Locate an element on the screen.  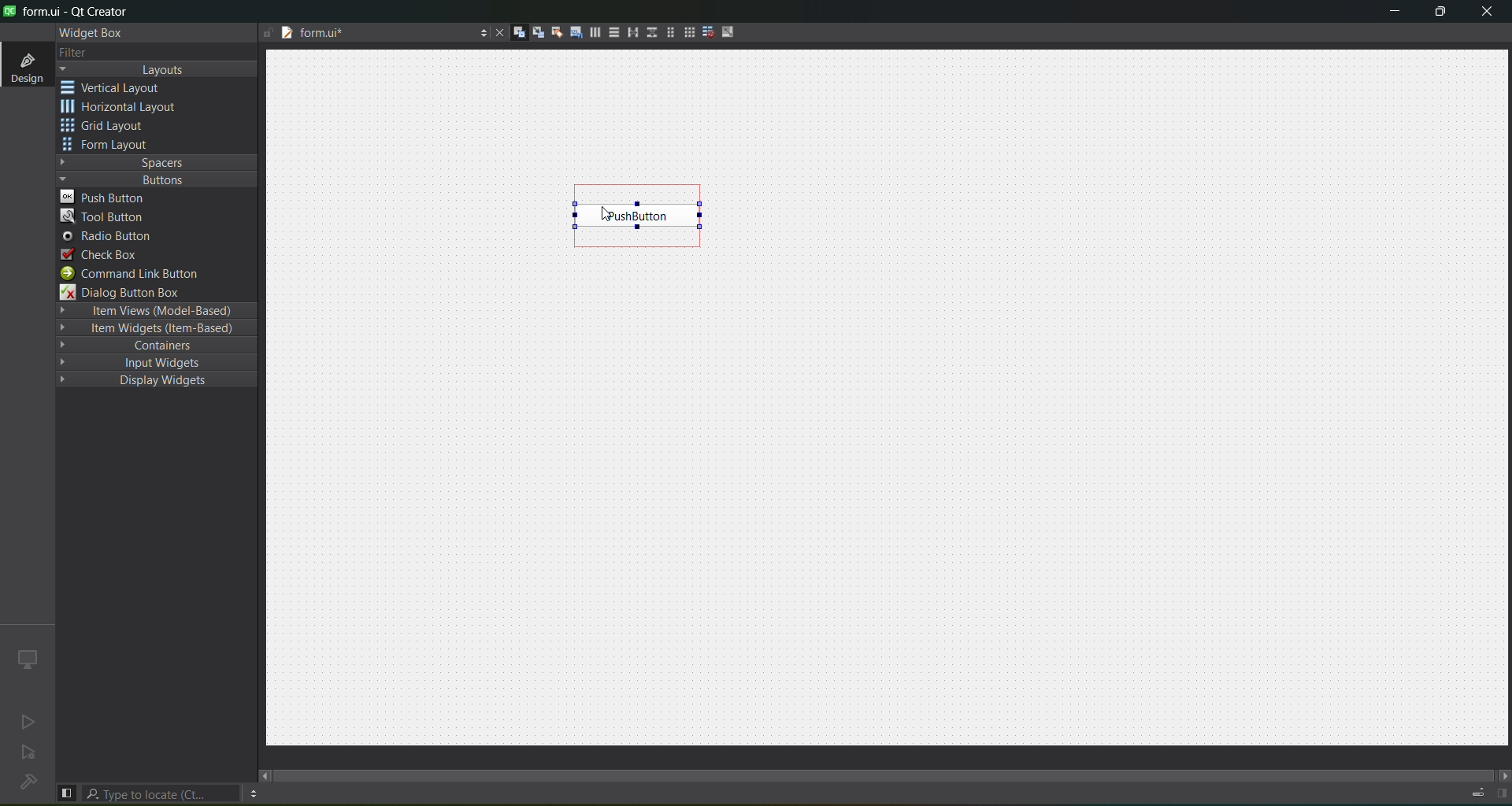
push is located at coordinates (108, 197).